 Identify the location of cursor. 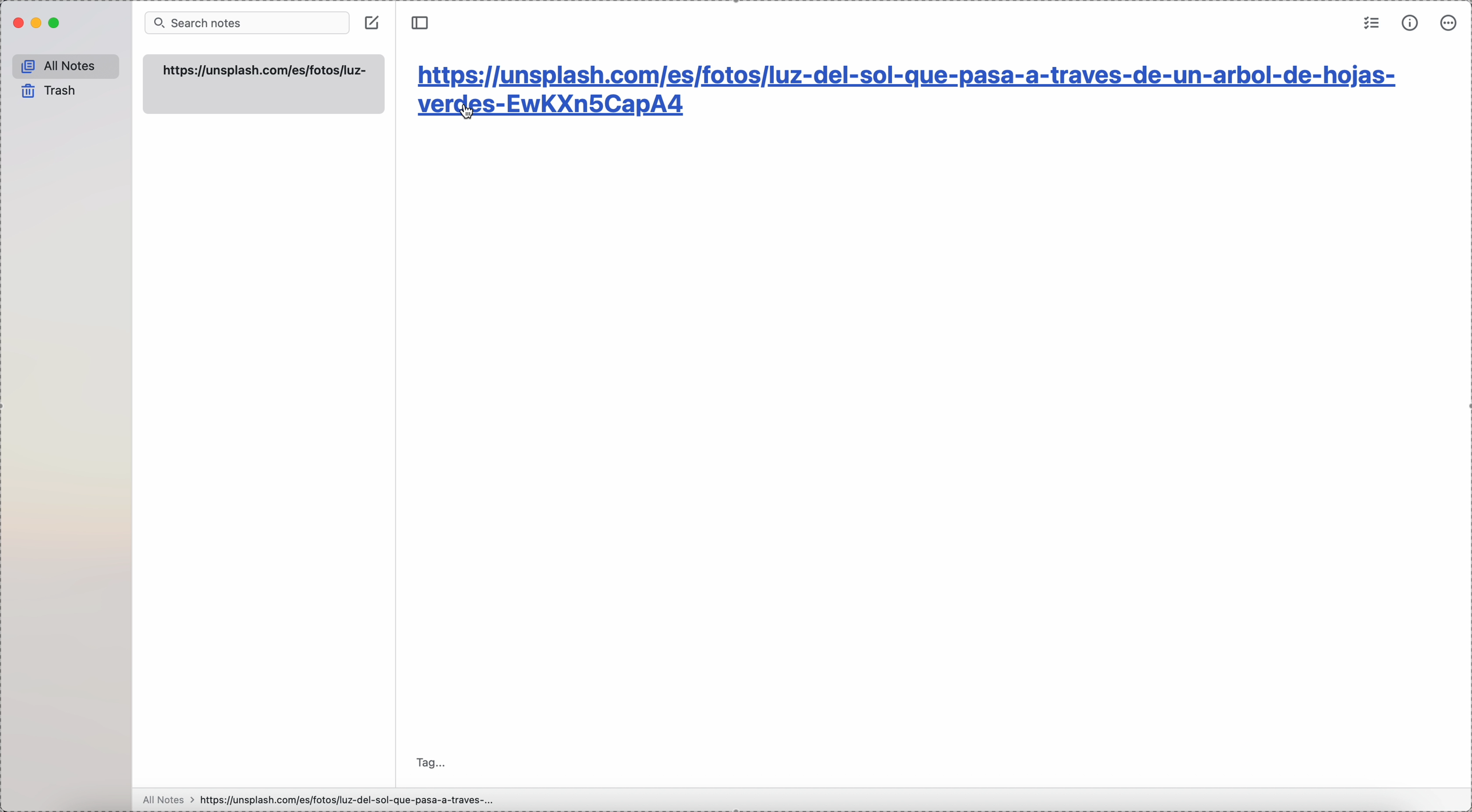
(469, 112).